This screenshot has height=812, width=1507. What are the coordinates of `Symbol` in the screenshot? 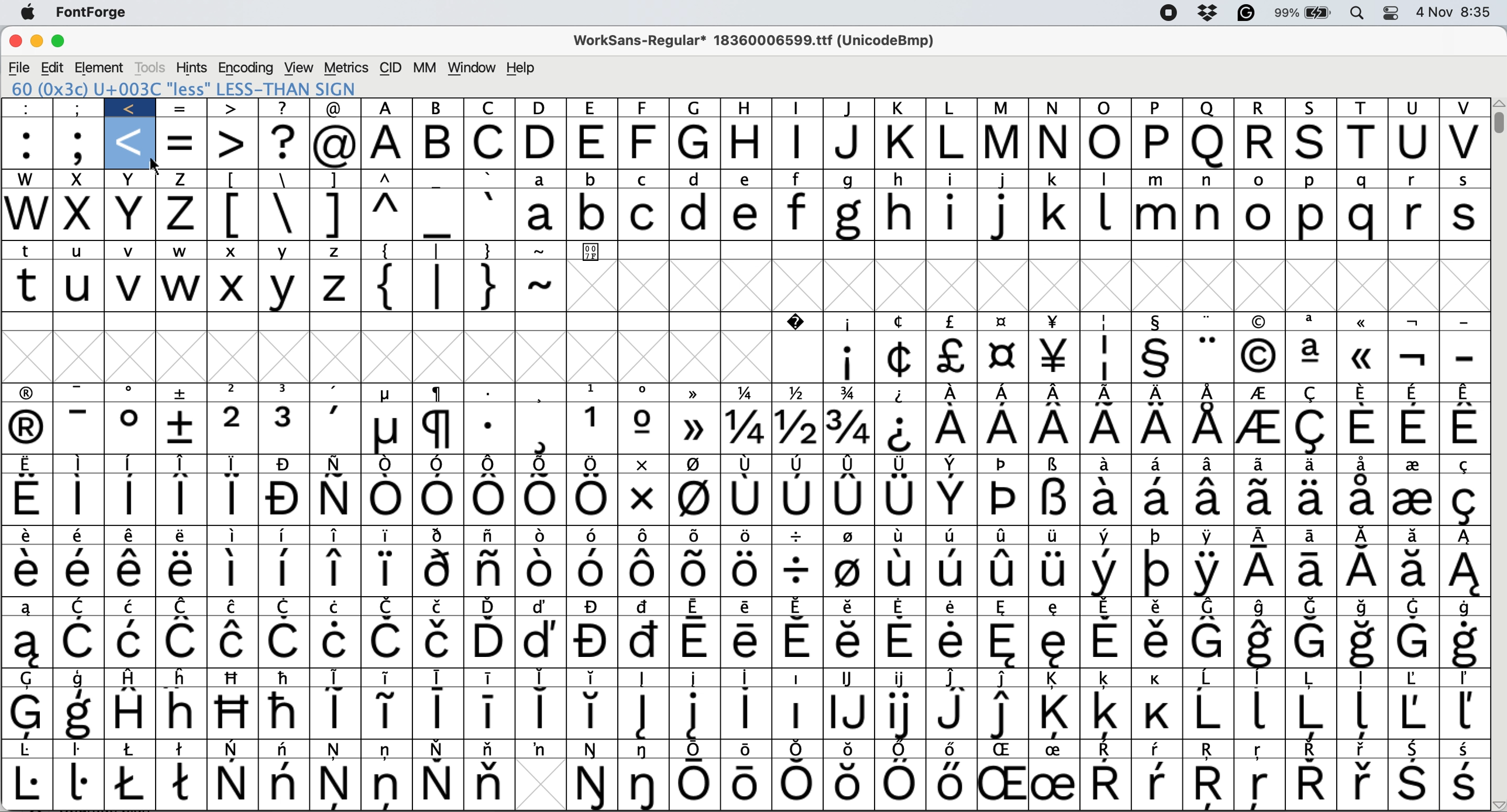 It's located at (642, 428).